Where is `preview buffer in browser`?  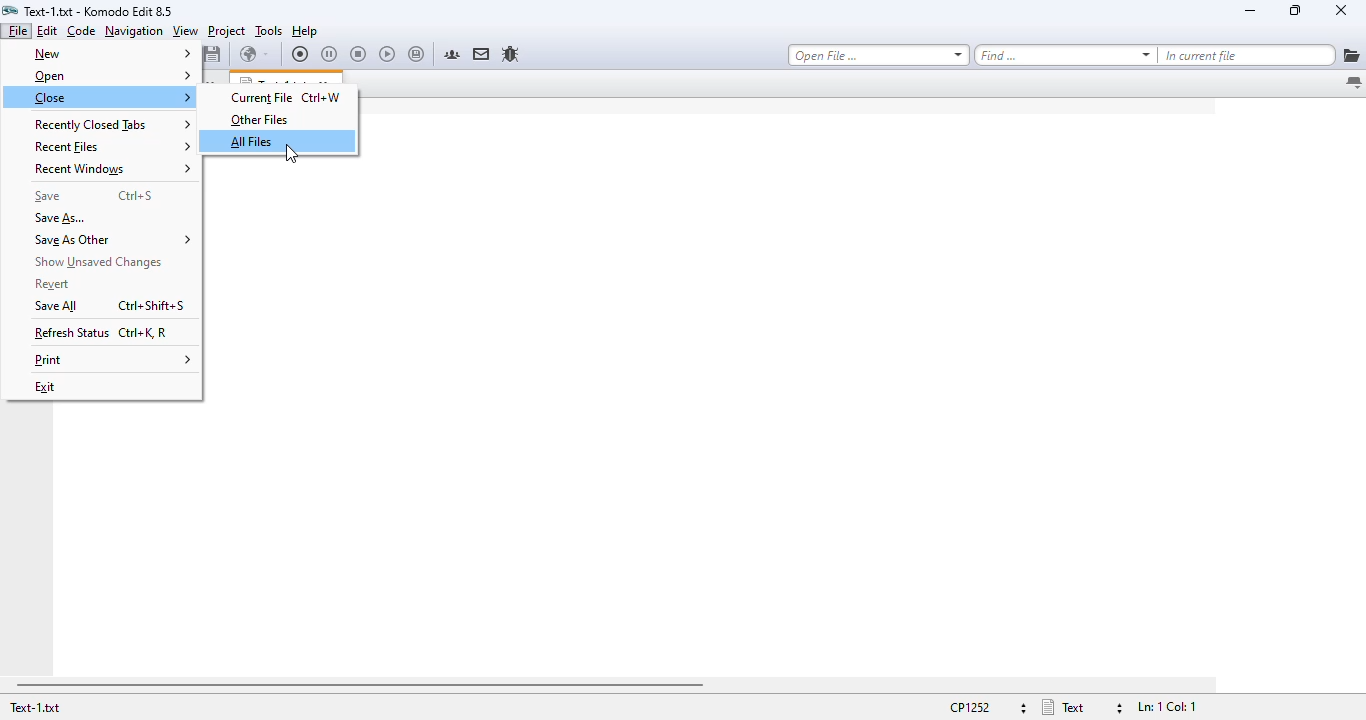
preview buffer in browser is located at coordinates (254, 54).